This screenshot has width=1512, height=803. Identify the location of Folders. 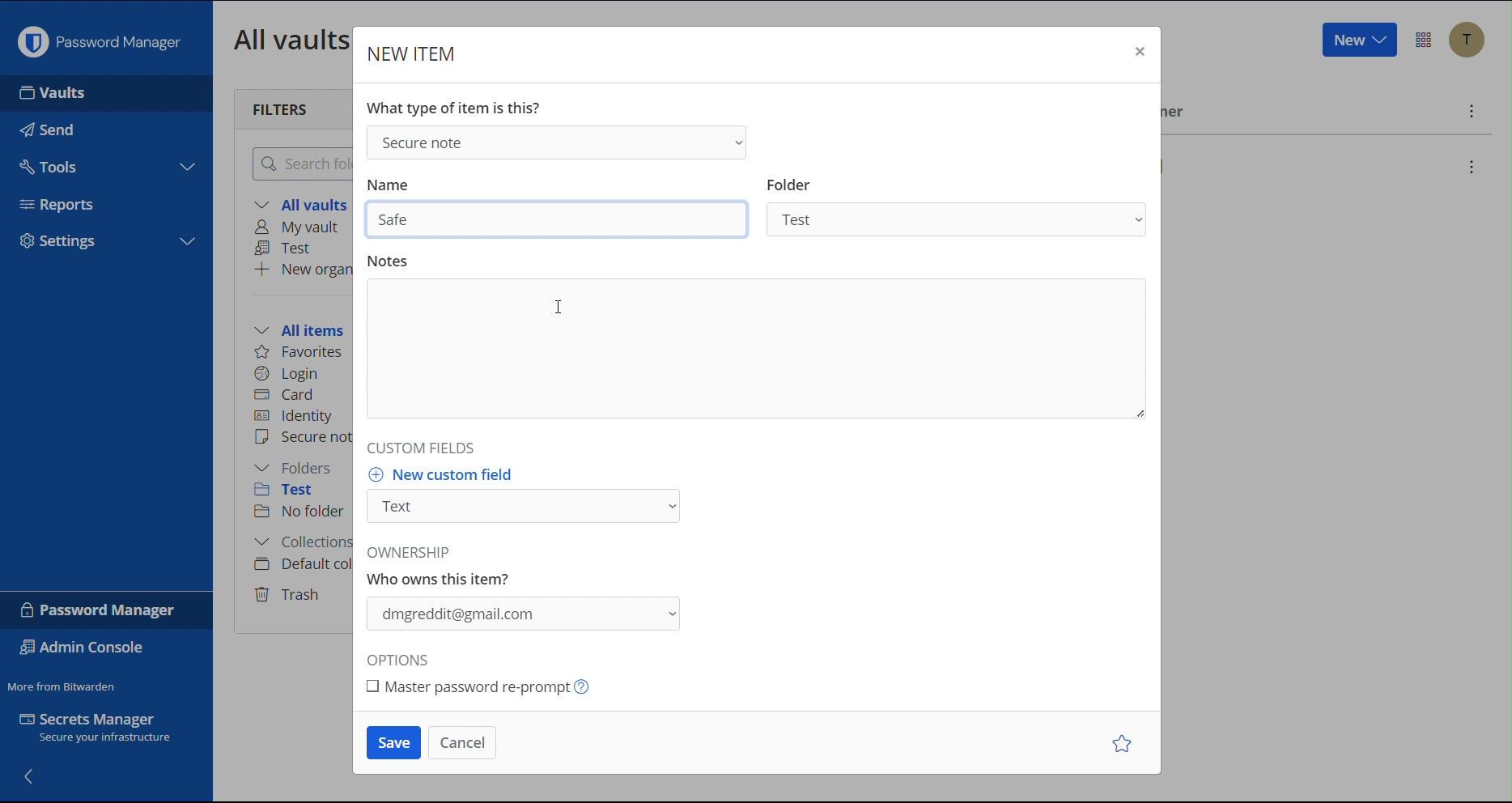
(297, 468).